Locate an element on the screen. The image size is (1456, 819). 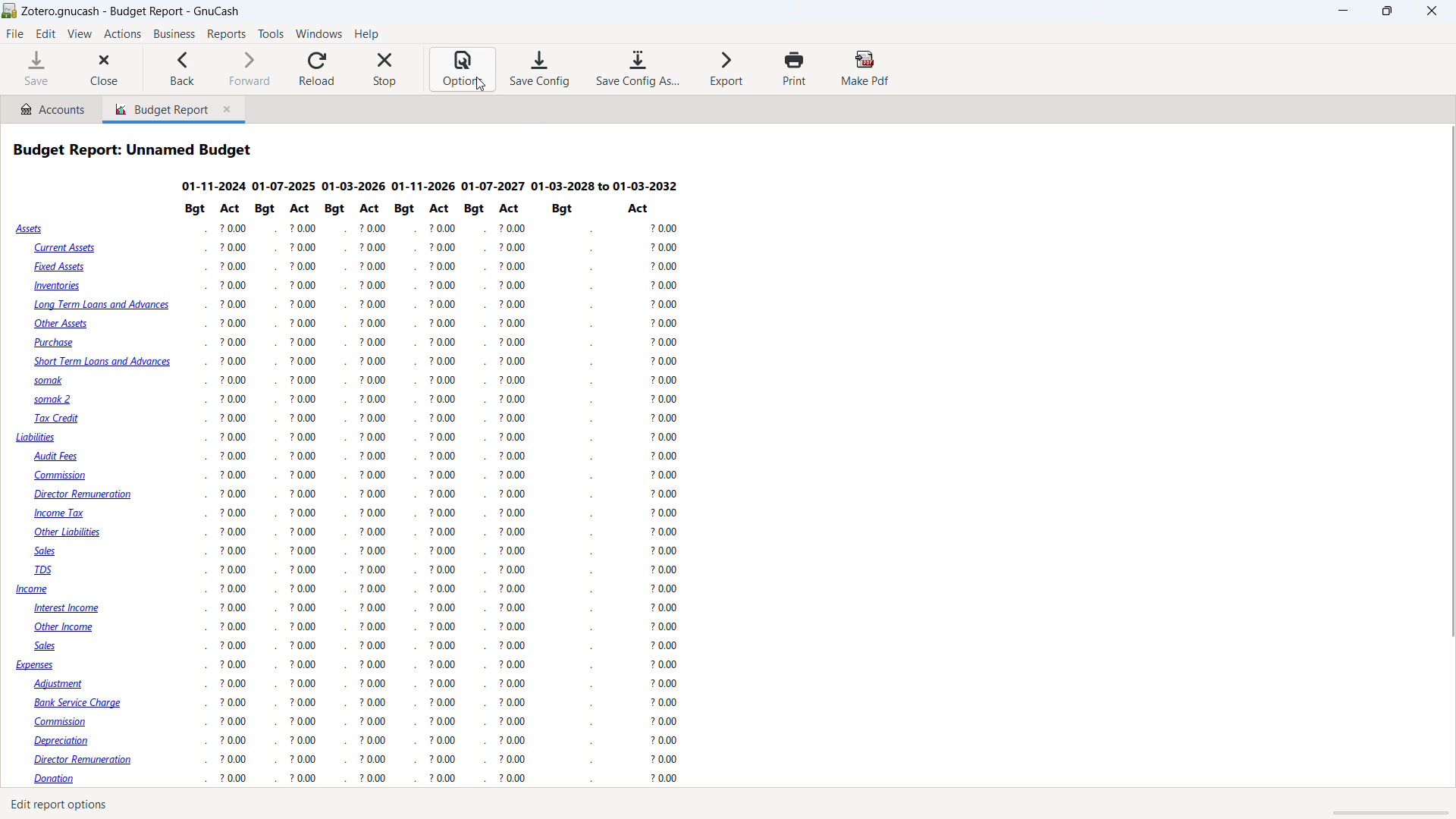
Other Assets is located at coordinates (61, 324).